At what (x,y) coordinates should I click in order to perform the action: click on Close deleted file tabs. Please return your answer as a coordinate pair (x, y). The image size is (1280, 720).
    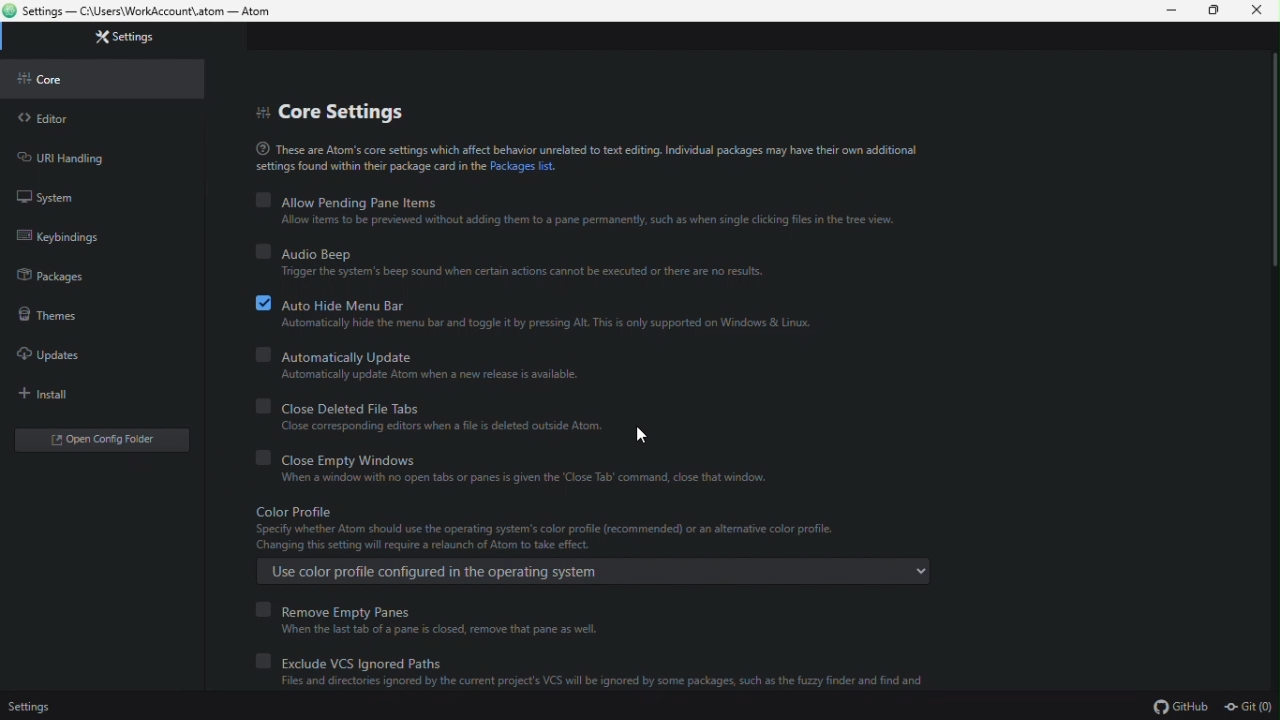
    Looking at the image, I should click on (429, 419).